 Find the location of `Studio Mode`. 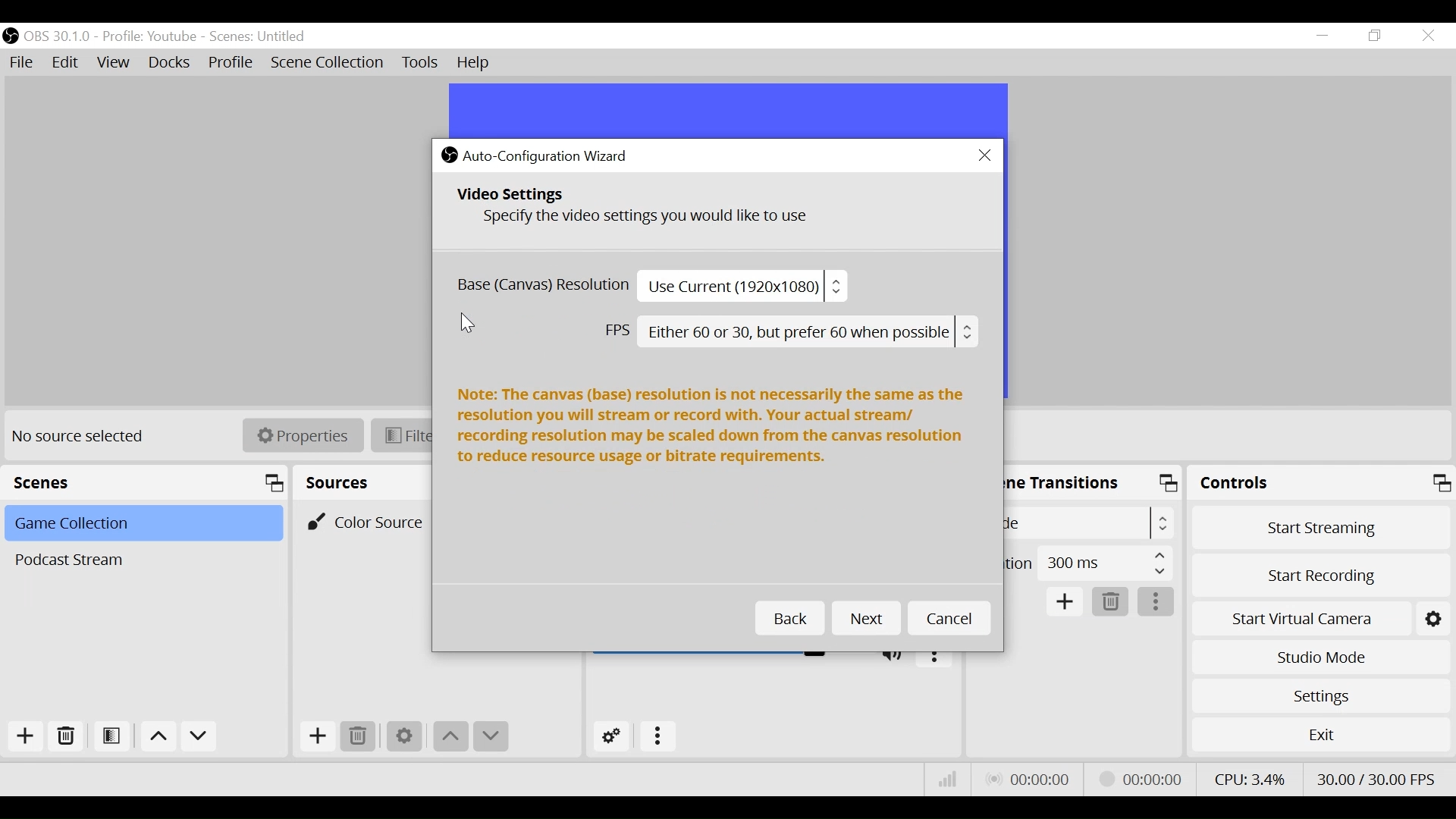

Studio Mode is located at coordinates (1319, 660).